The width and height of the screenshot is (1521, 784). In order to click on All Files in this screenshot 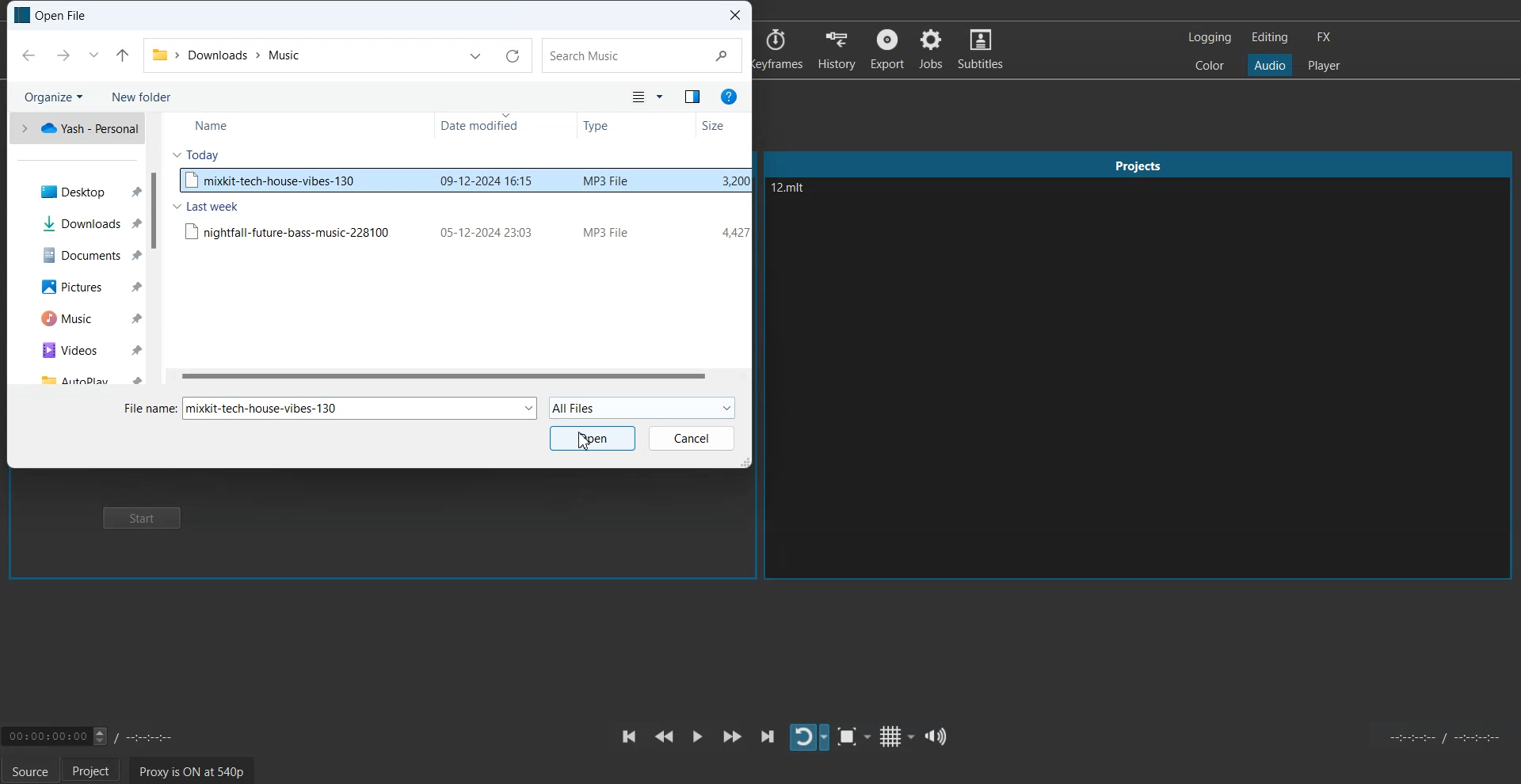, I will do `click(642, 406)`.